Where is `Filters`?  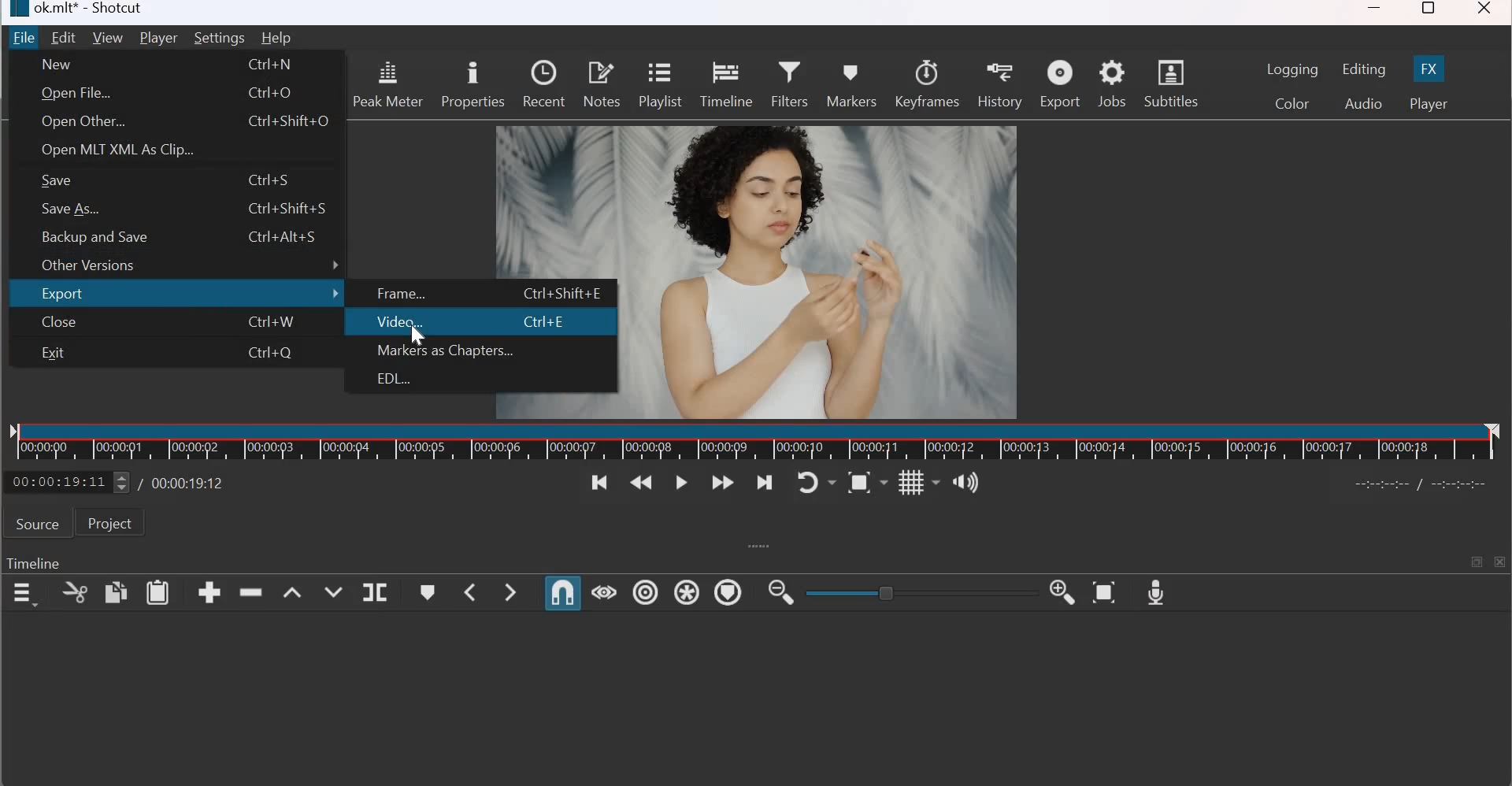
Filters is located at coordinates (790, 82).